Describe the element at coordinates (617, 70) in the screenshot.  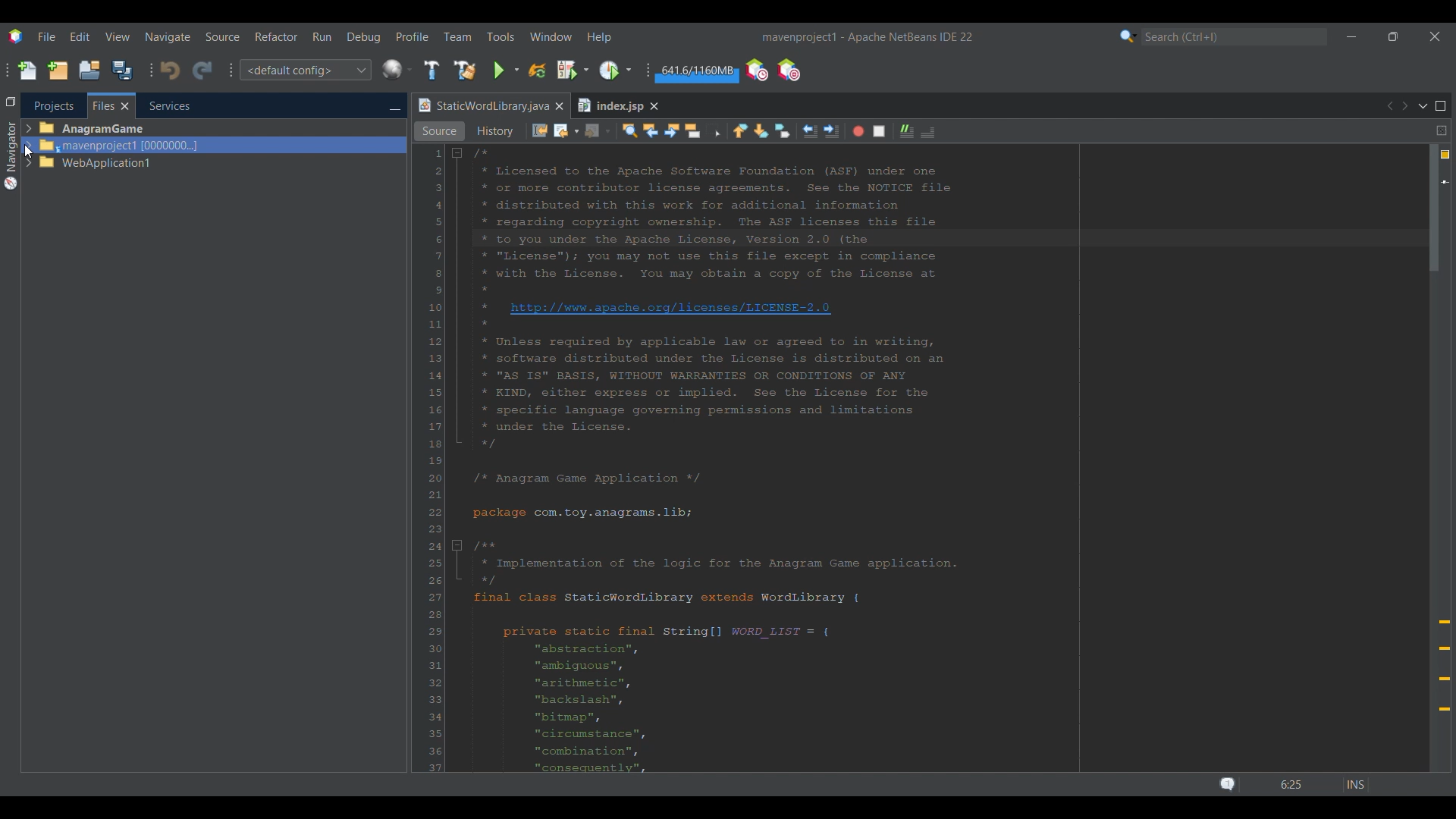
I see `Profile main project options` at that location.